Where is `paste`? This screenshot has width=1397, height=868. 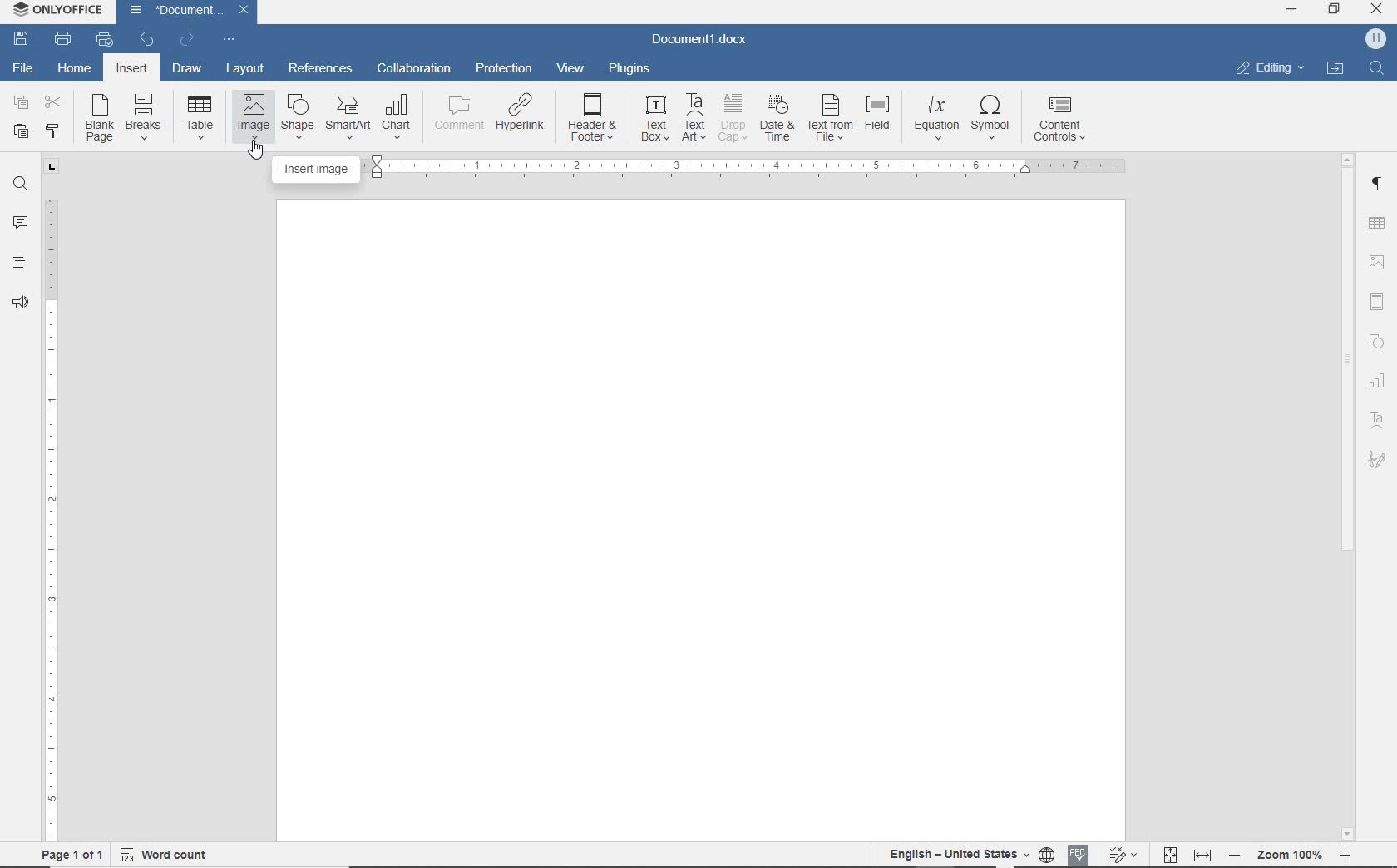
paste is located at coordinates (20, 133).